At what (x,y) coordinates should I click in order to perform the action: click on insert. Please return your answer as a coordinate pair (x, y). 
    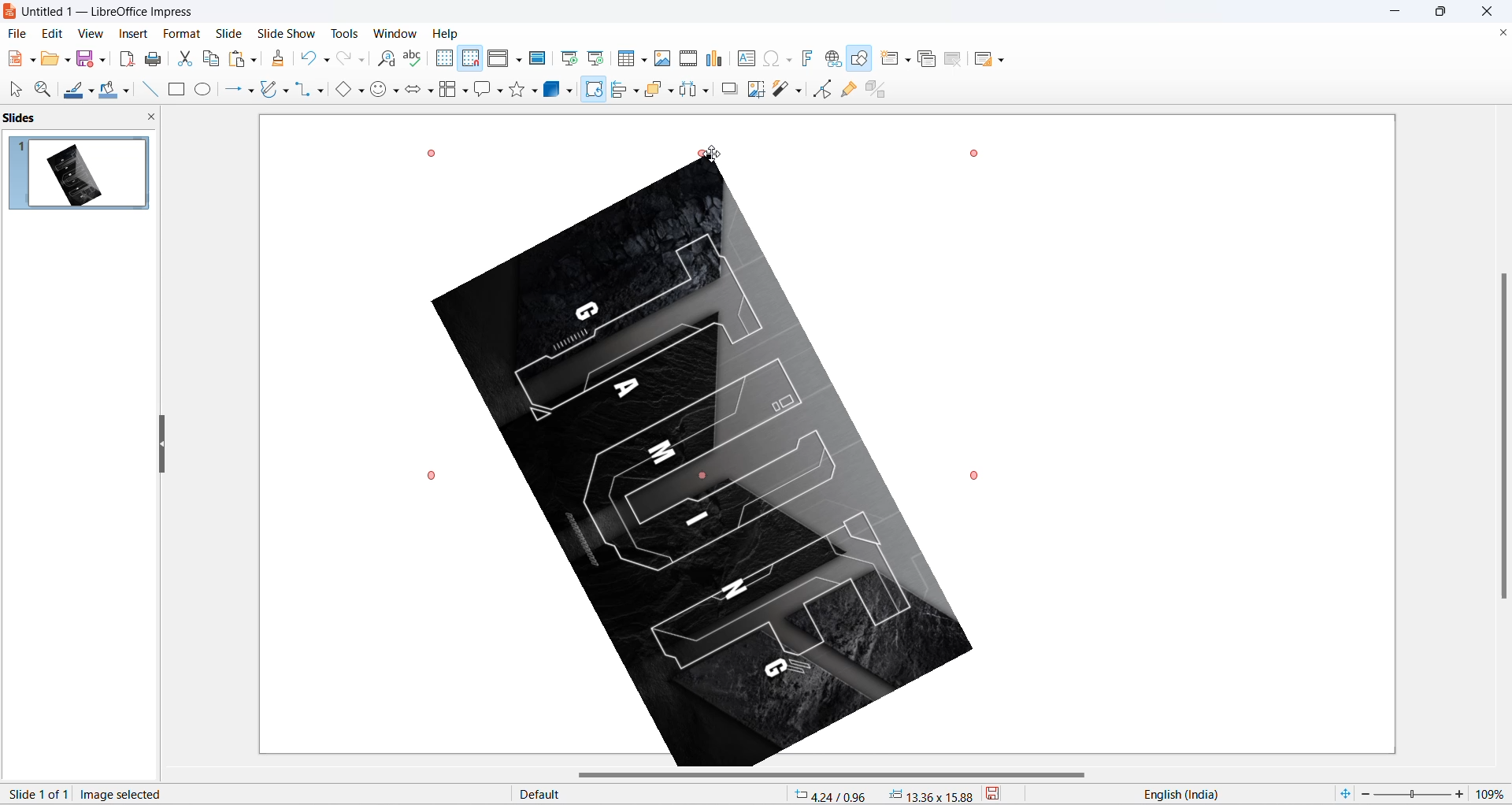
    Looking at the image, I should click on (132, 35).